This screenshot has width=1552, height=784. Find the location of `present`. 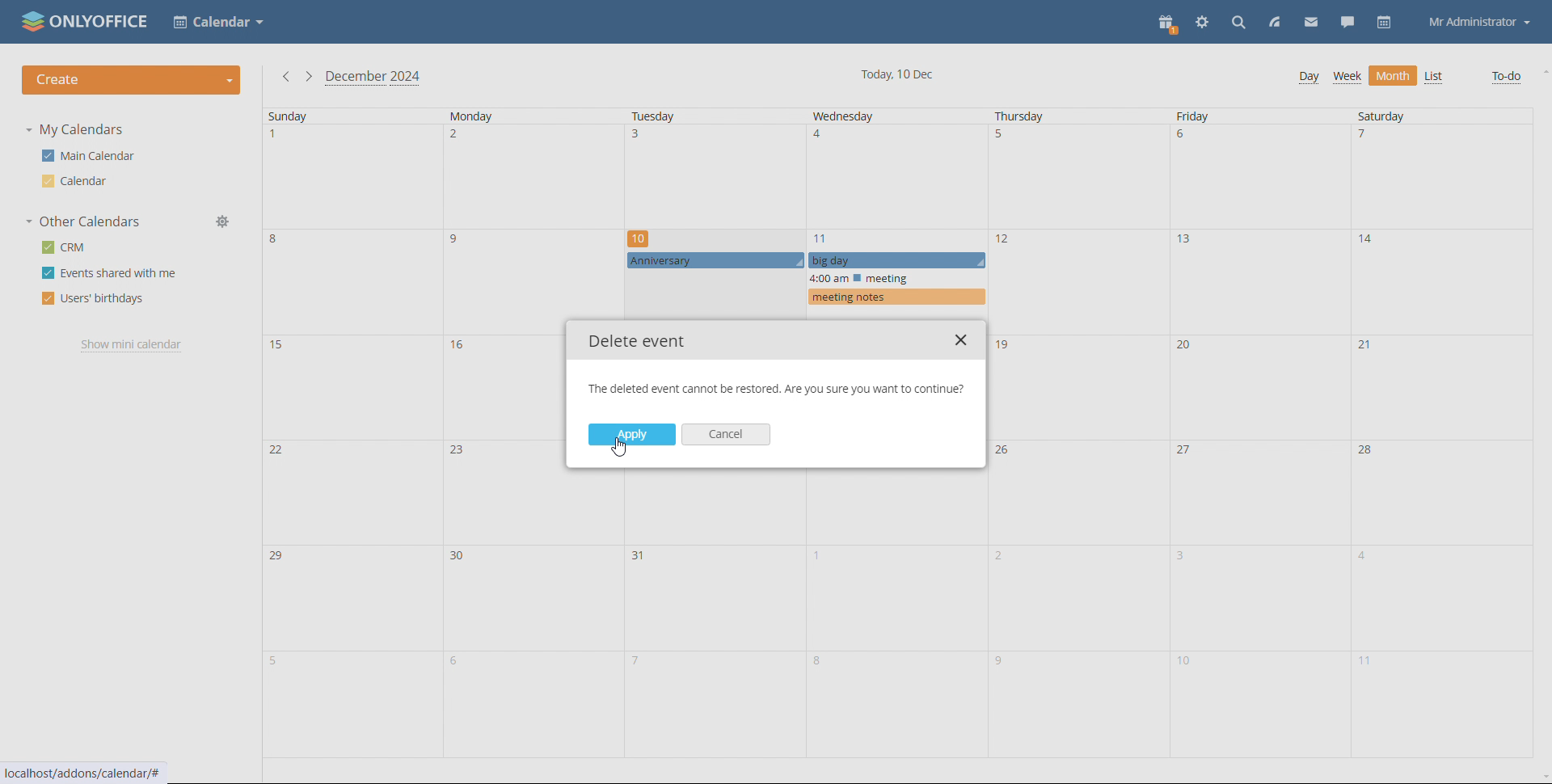

present is located at coordinates (1168, 23).